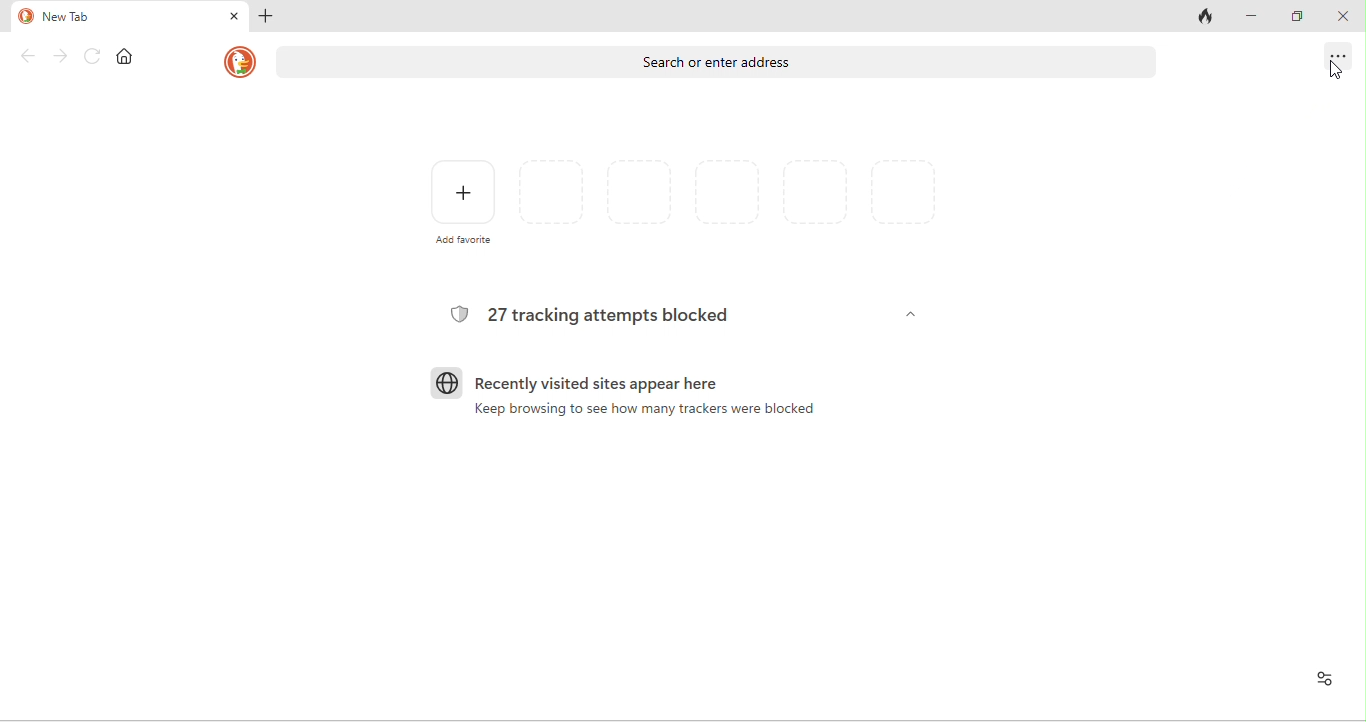  Describe the element at coordinates (62, 56) in the screenshot. I see `forward` at that location.